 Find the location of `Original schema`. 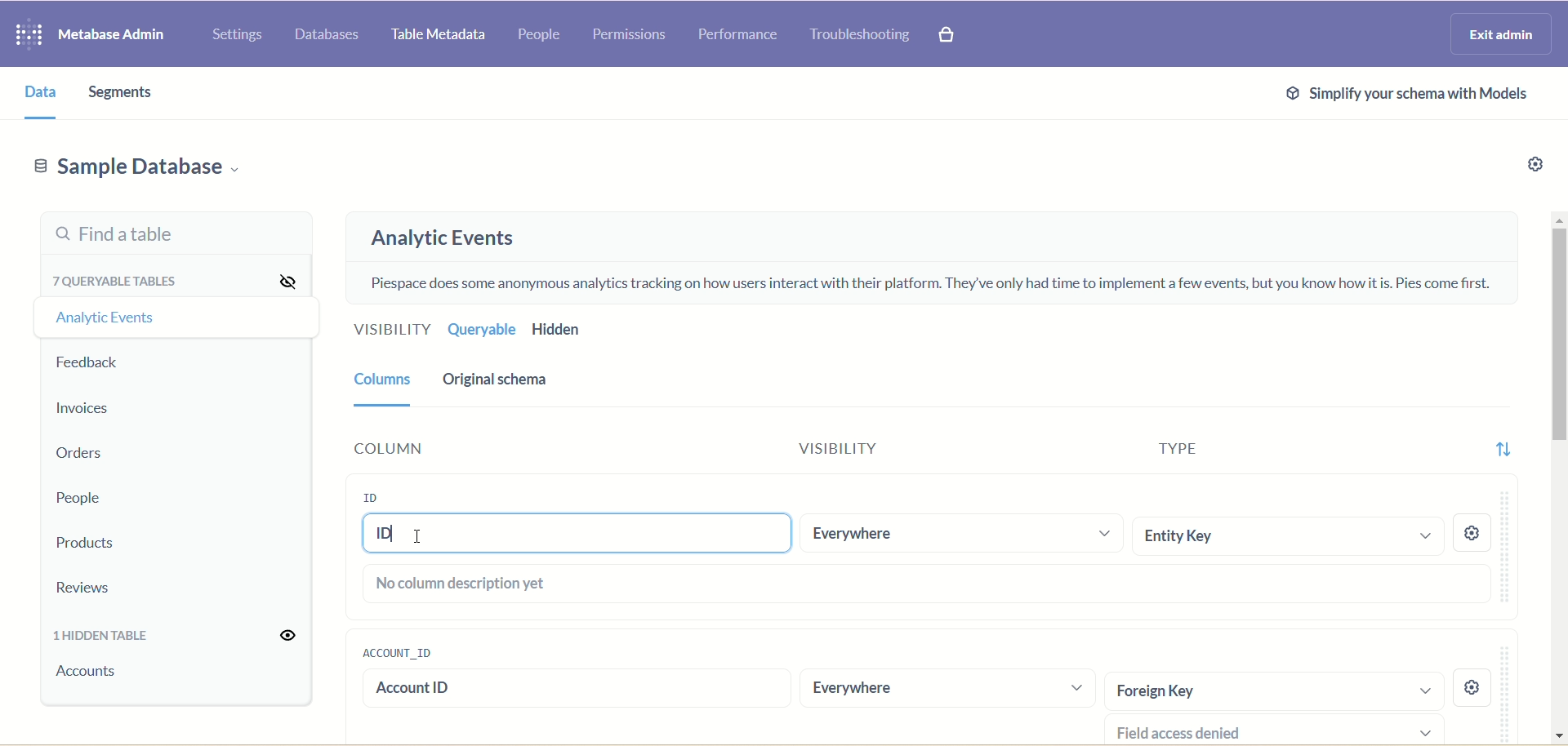

Original schema is located at coordinates (533, 380).